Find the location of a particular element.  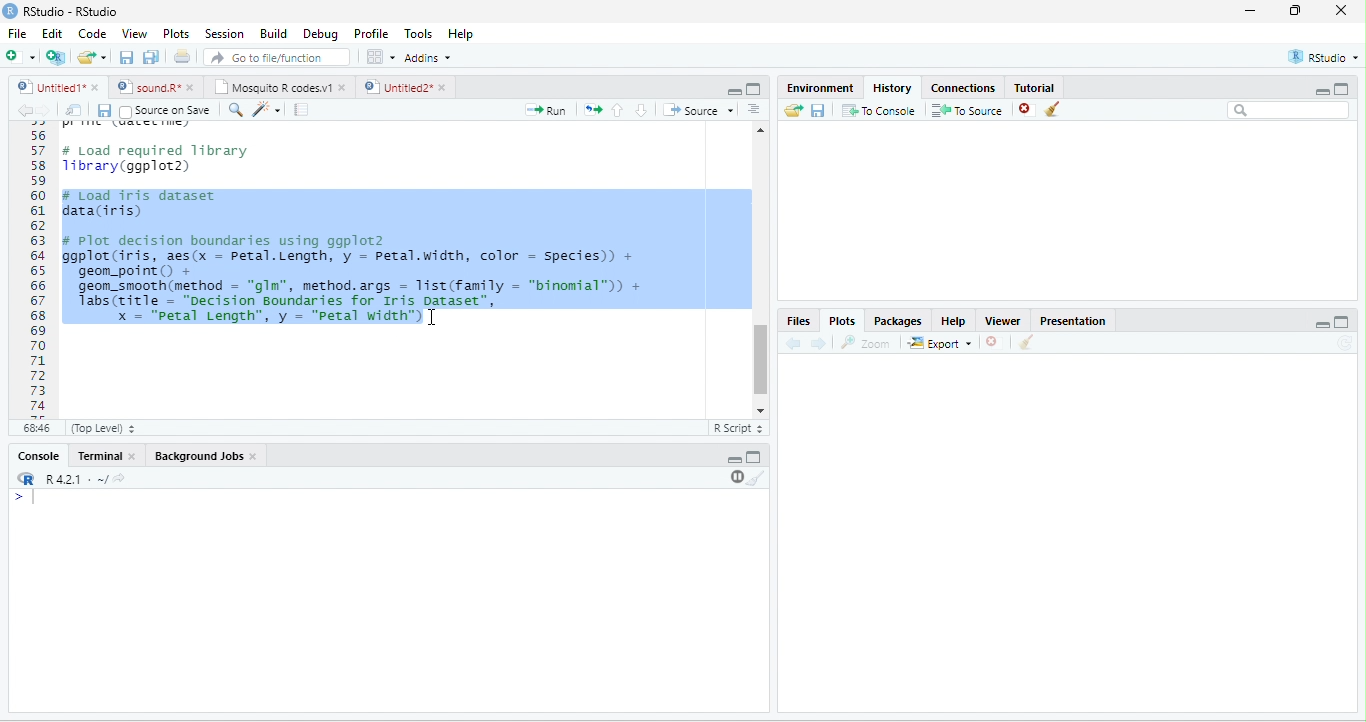

Presentation is located at coordinates (1074, 321).